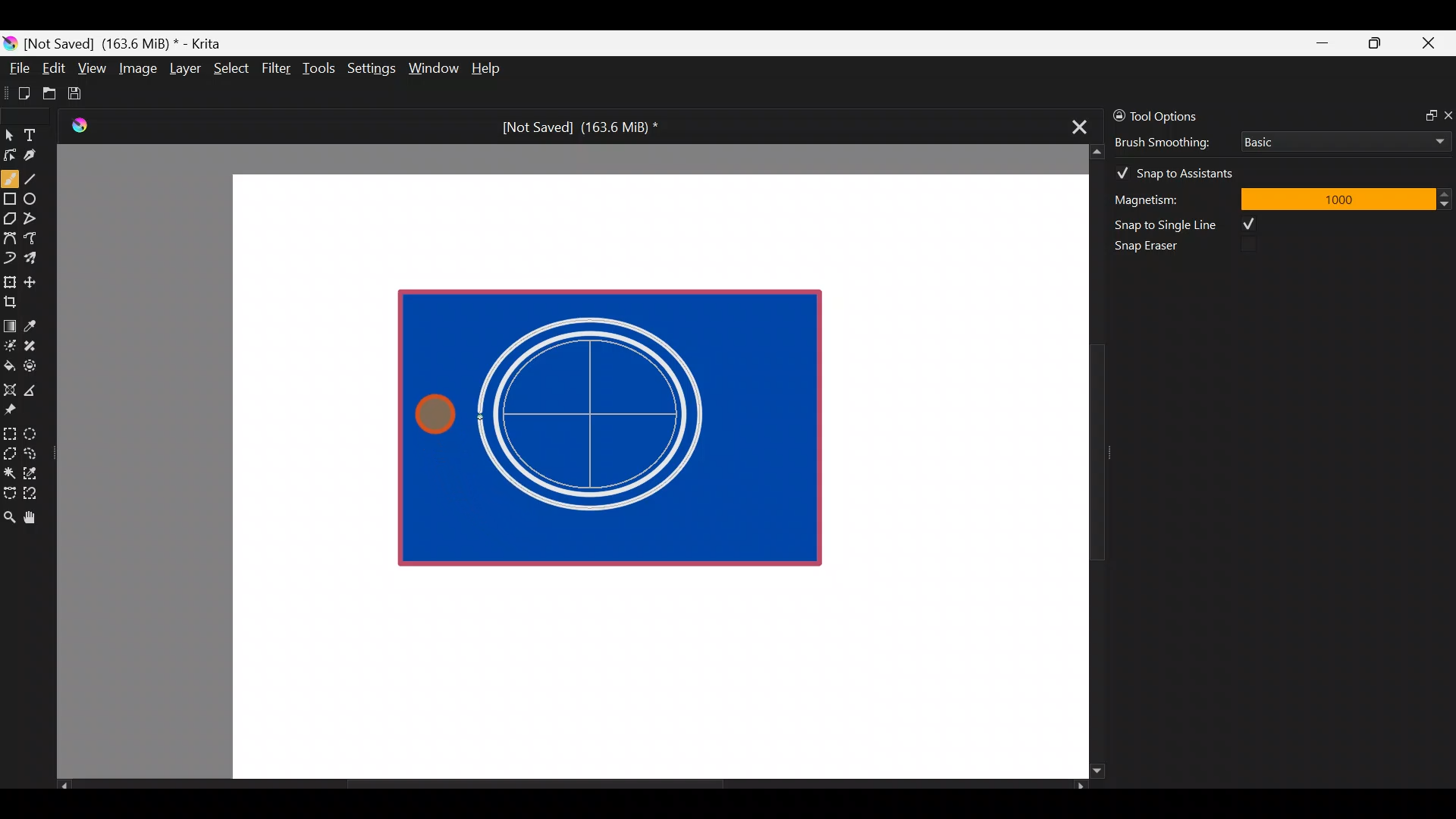 The width and height of the screenshot is (1456, 819). What do you see at coordinates (53, 71) in the screenshot?
I see `Edit` at bounding box center [53, 71].